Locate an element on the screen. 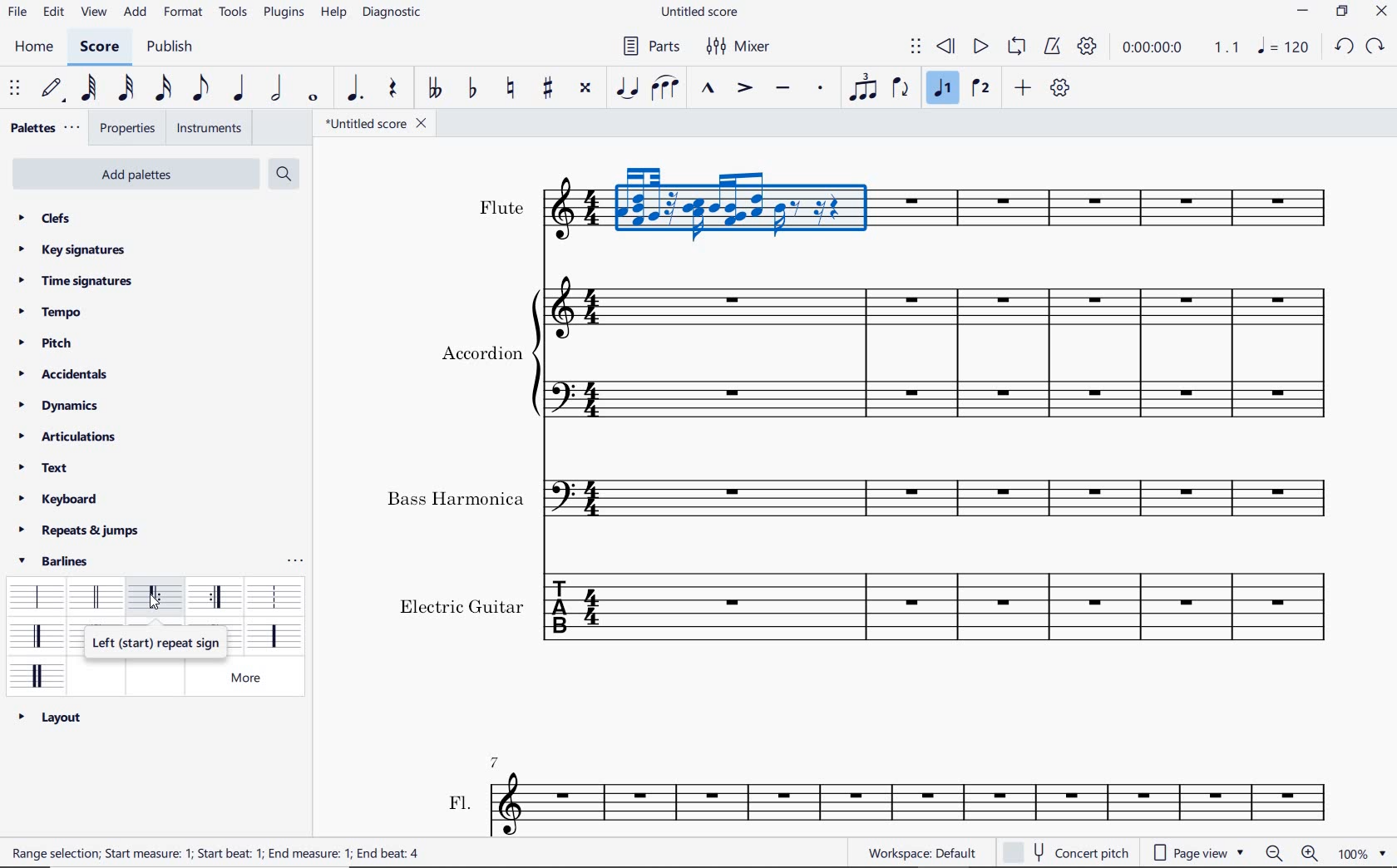 The image size is (1397, 868). accent is located at coordinates (745, 89).